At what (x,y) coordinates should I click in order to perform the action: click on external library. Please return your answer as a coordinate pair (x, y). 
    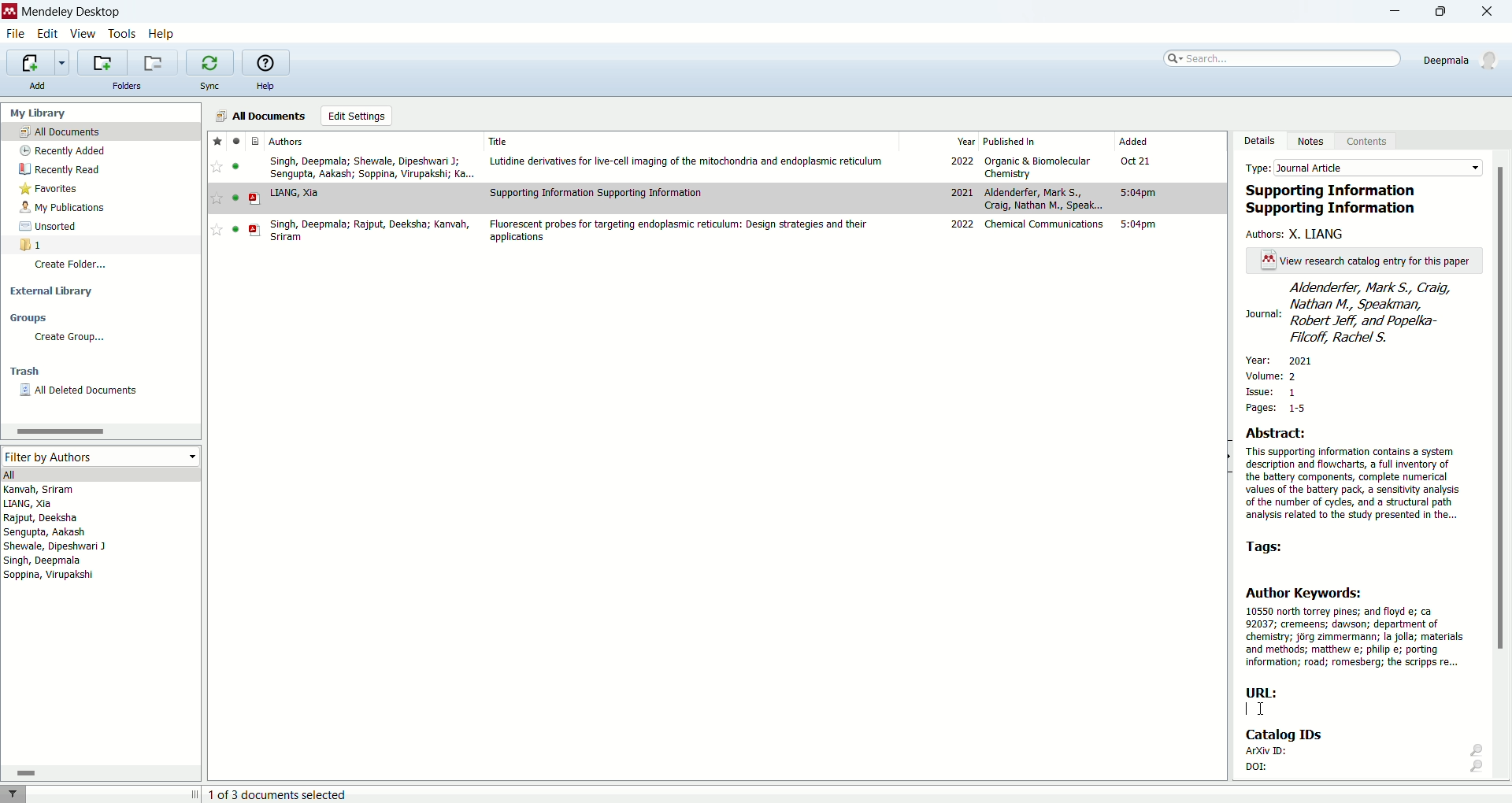
    Looking at the image, I should click on (51, 293).